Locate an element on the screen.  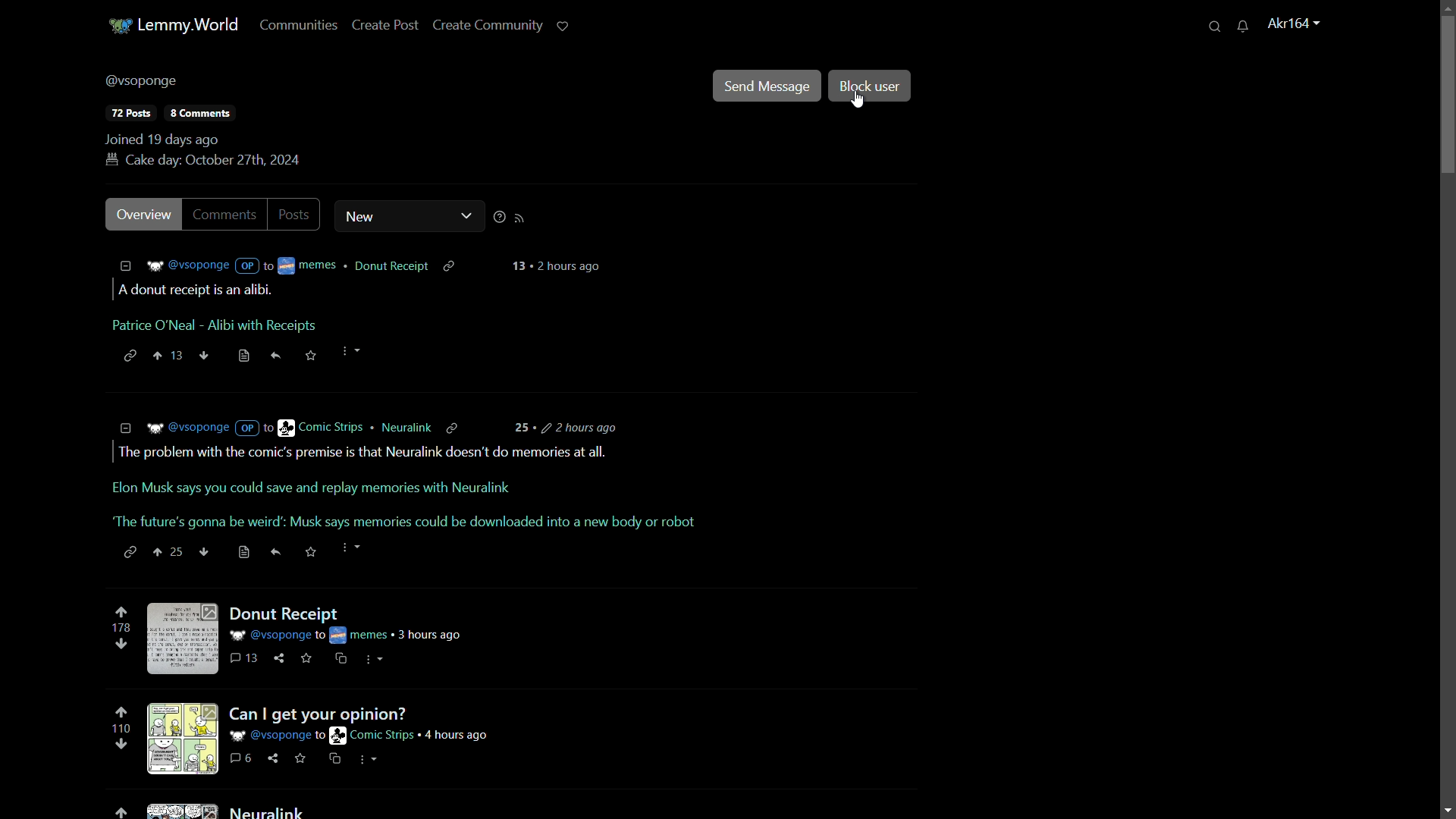
share is located at coordinates (279, 552).